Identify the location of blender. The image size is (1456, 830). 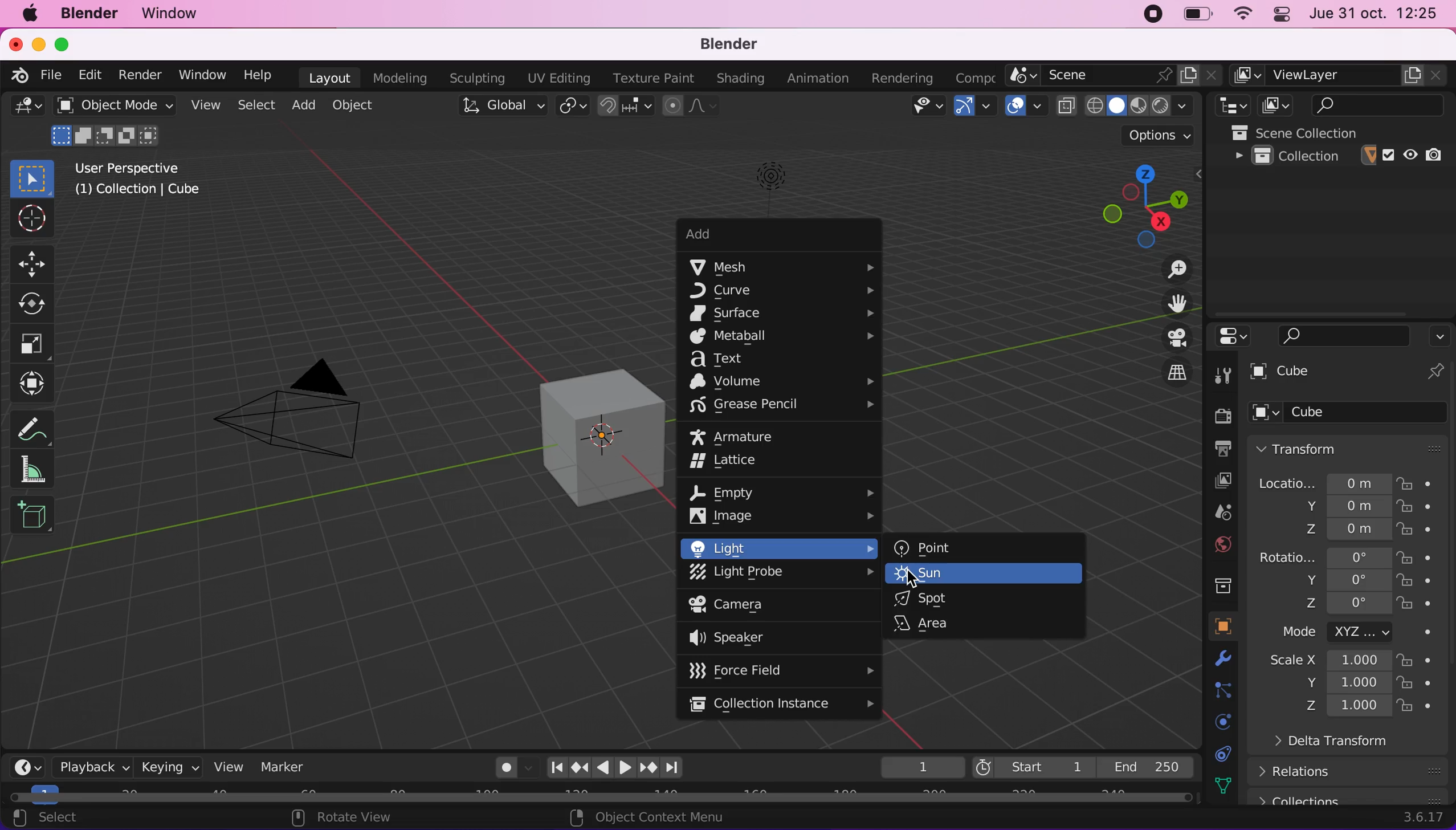
(737, 44).